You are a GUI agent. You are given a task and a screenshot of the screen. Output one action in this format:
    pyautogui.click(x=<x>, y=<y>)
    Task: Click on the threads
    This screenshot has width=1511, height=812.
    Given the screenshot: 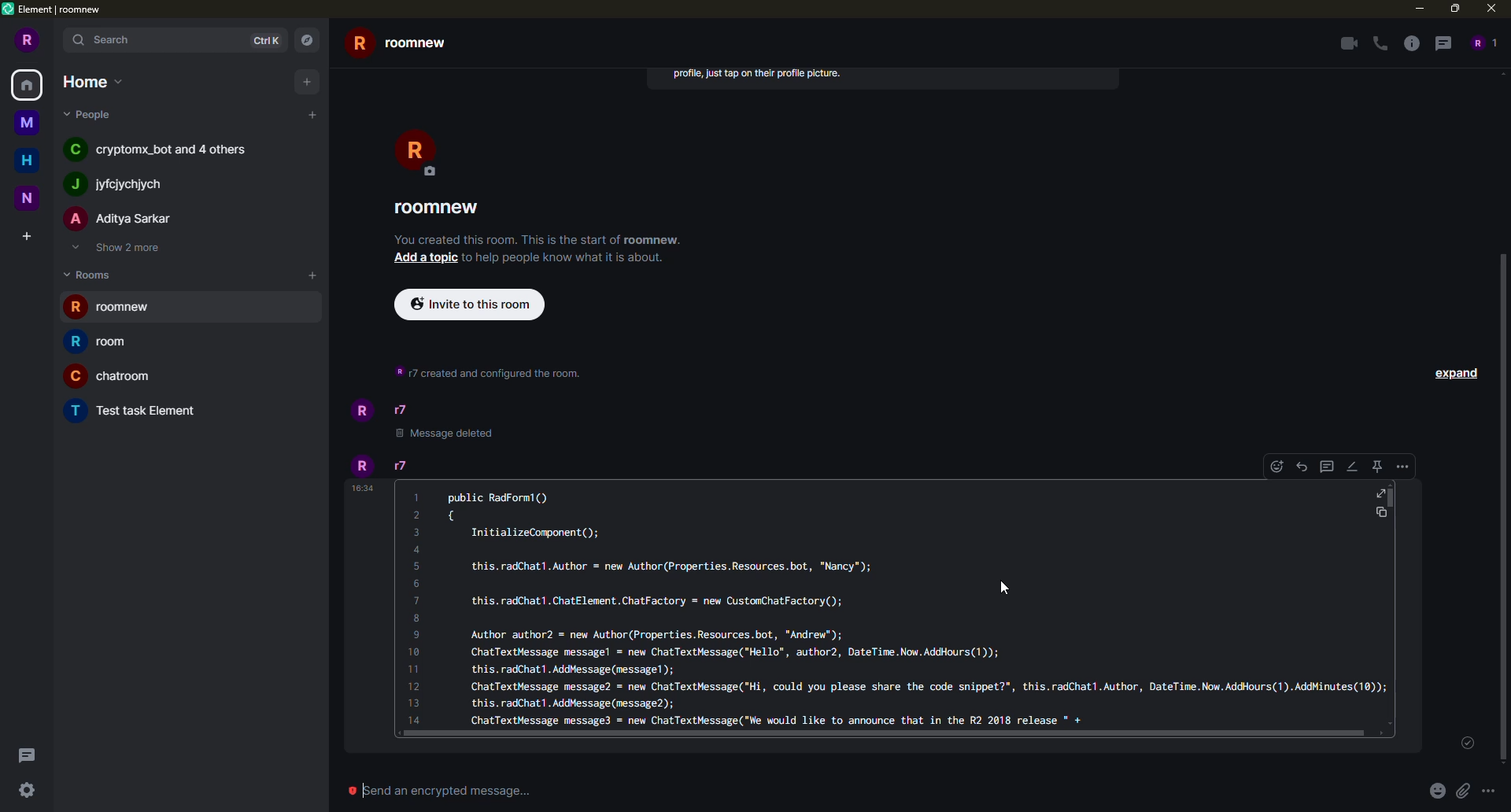 What is the action you would take?
    pyautogui.click(x=1326, y=468)
    